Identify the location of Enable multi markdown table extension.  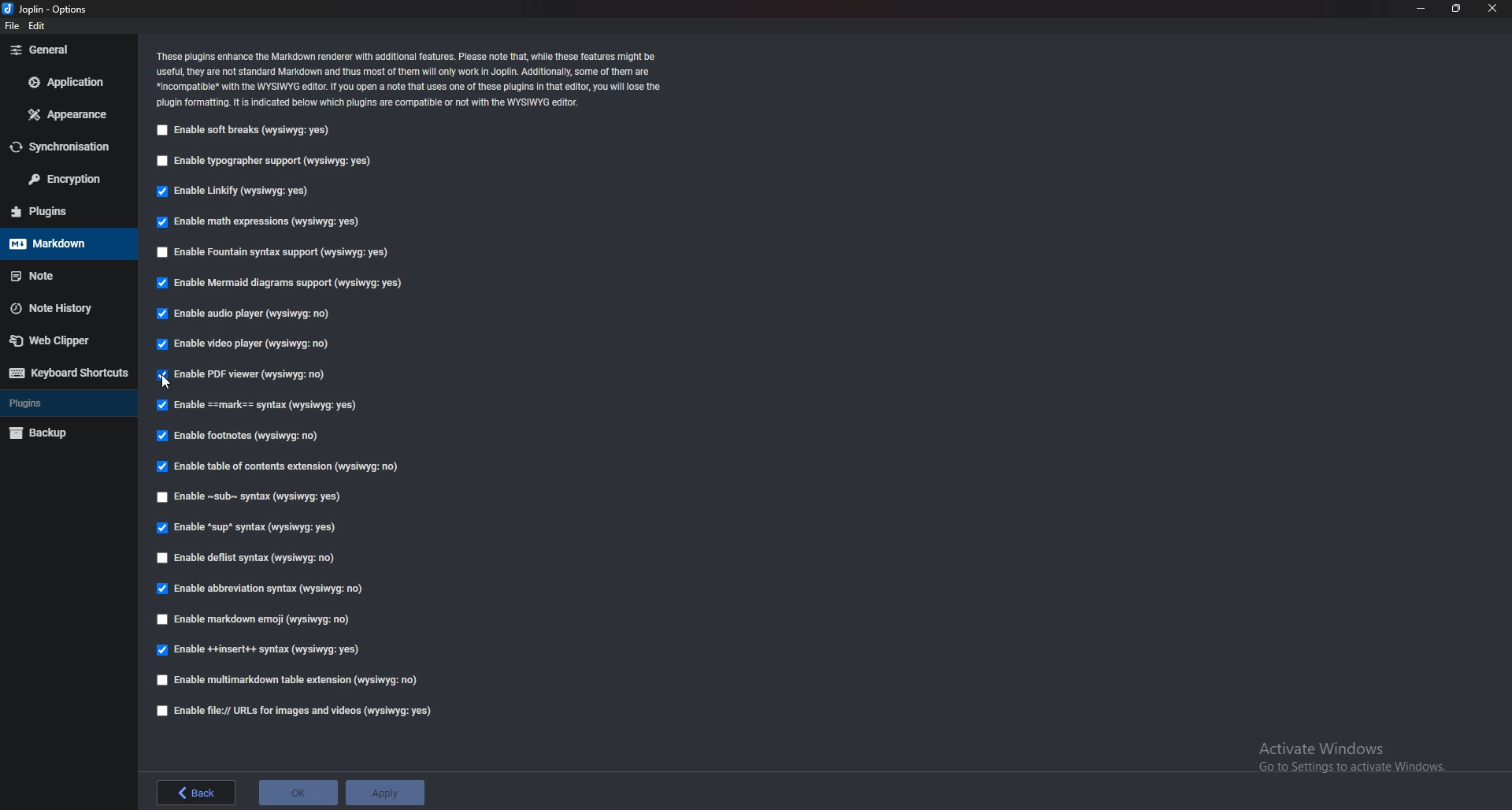
(289, 680).